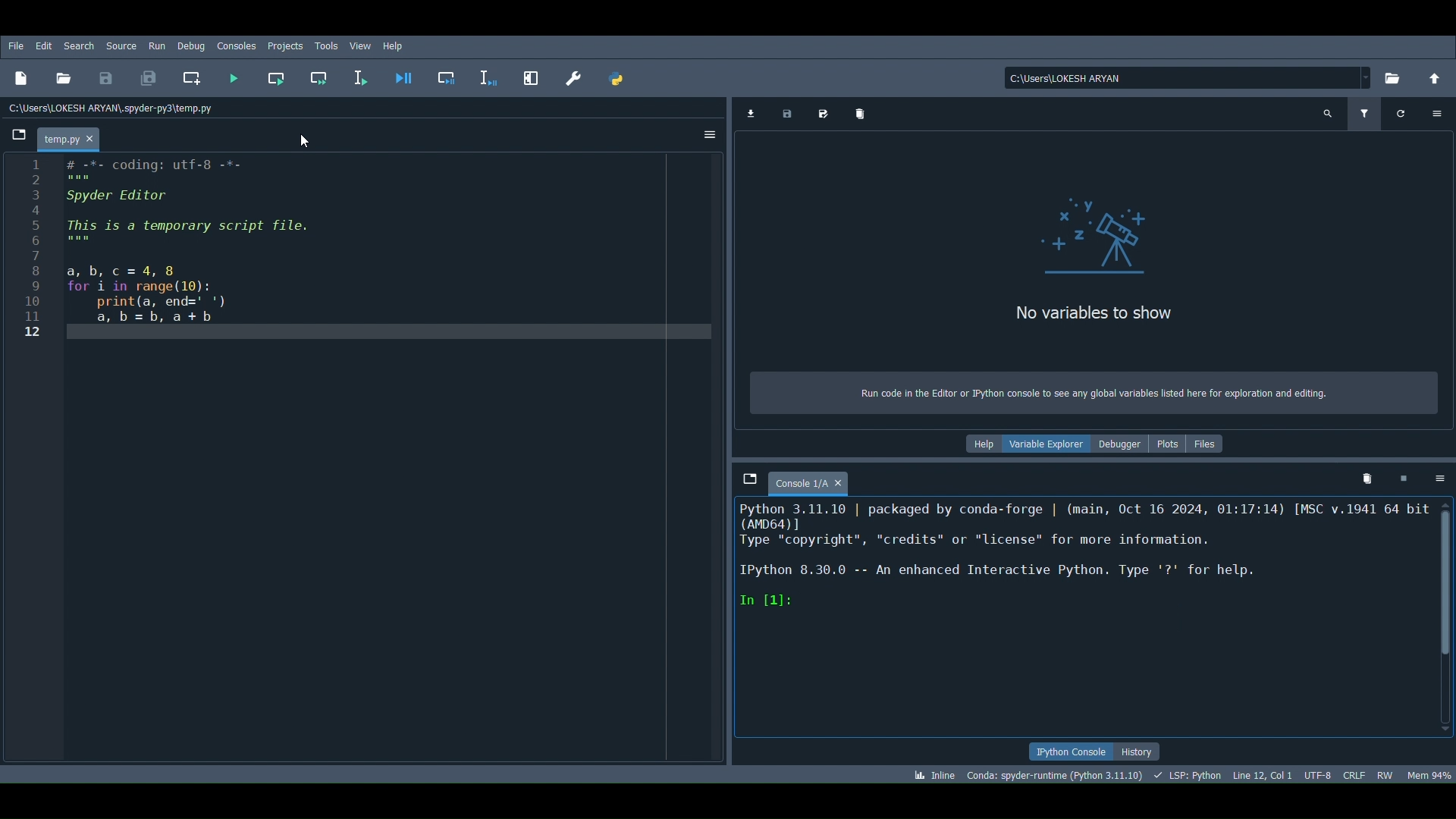 The image size is (1456, 819). What do you see at coordinates (823, 114) in the screenshot?
I see `Save data as` at bounding box center [823, 114].